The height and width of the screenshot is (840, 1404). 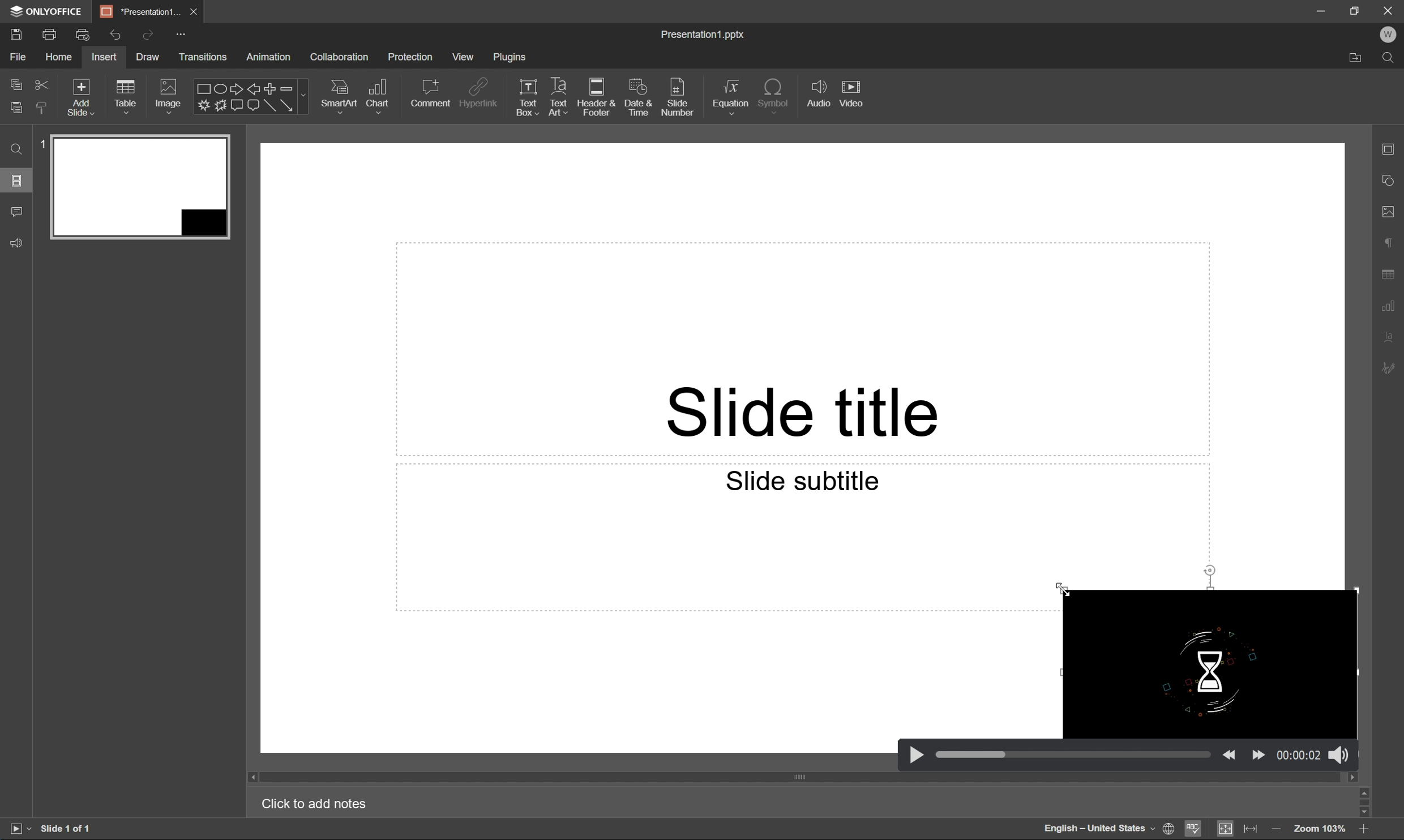 I want to click on Click to add notes, so click(x=315, y=803).